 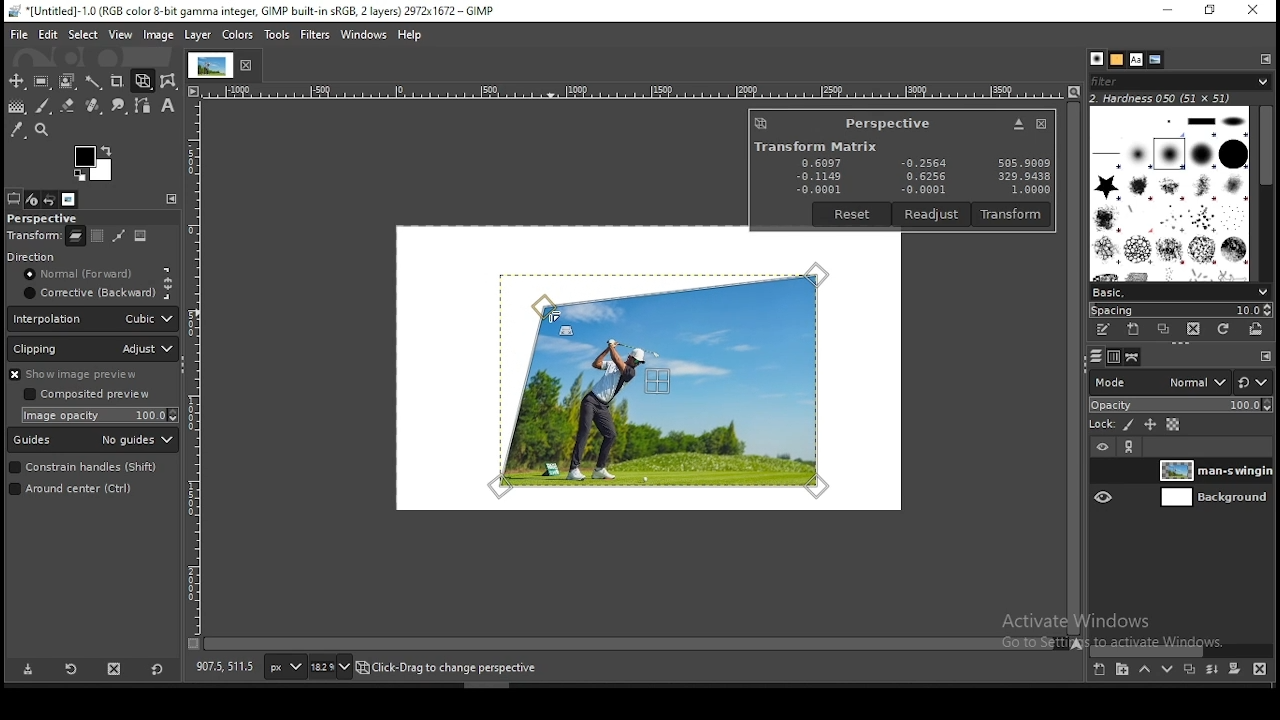 What do you see at coordinates (1196, 330) in the screenshot?
I see `delete brush` at bounding box center [1196, 330].